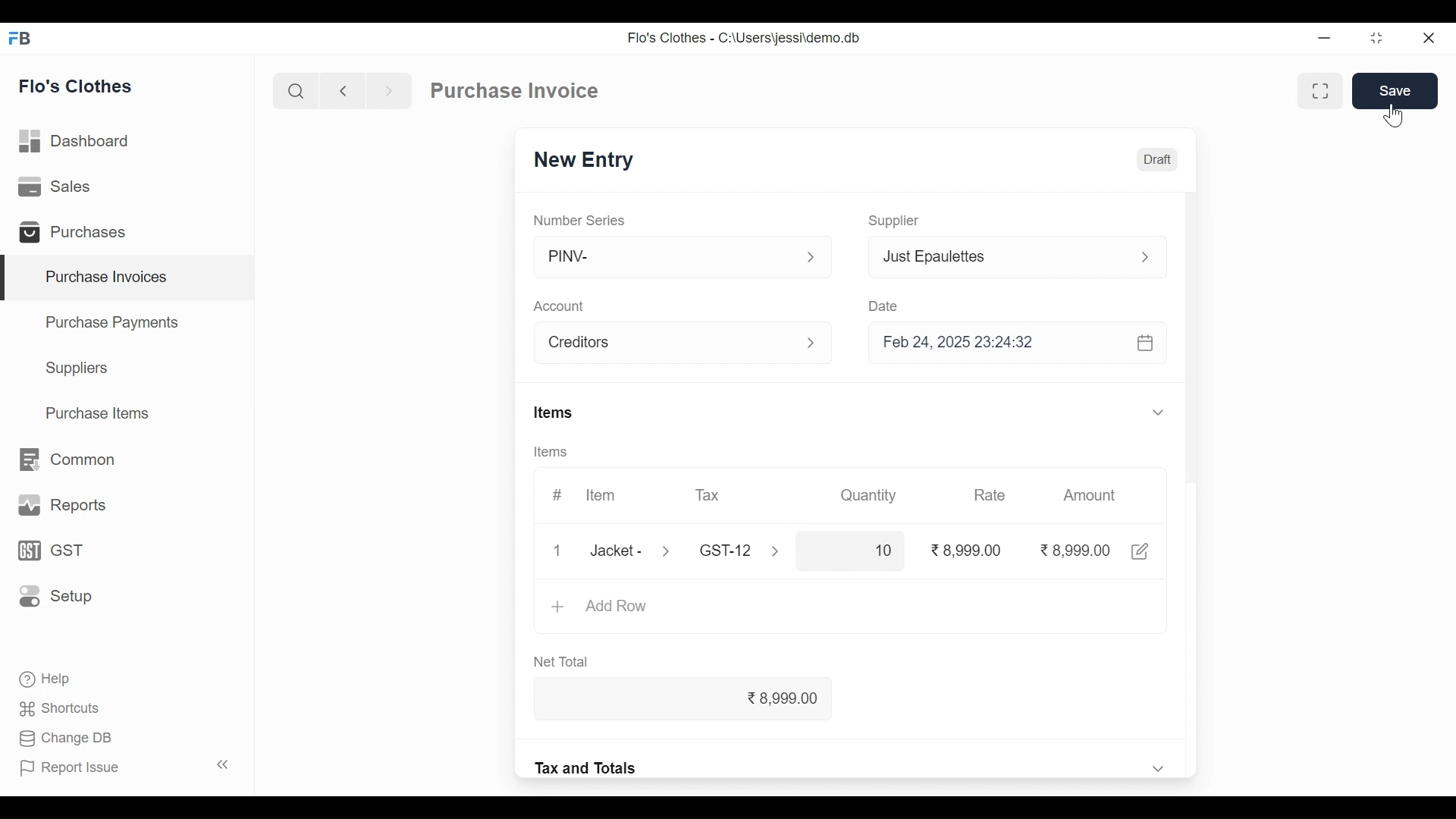 The image size is (1456, 819). Describe the element at coordinates (514, 90) in the screenshot. I see `Purchase Invoice` at that location.